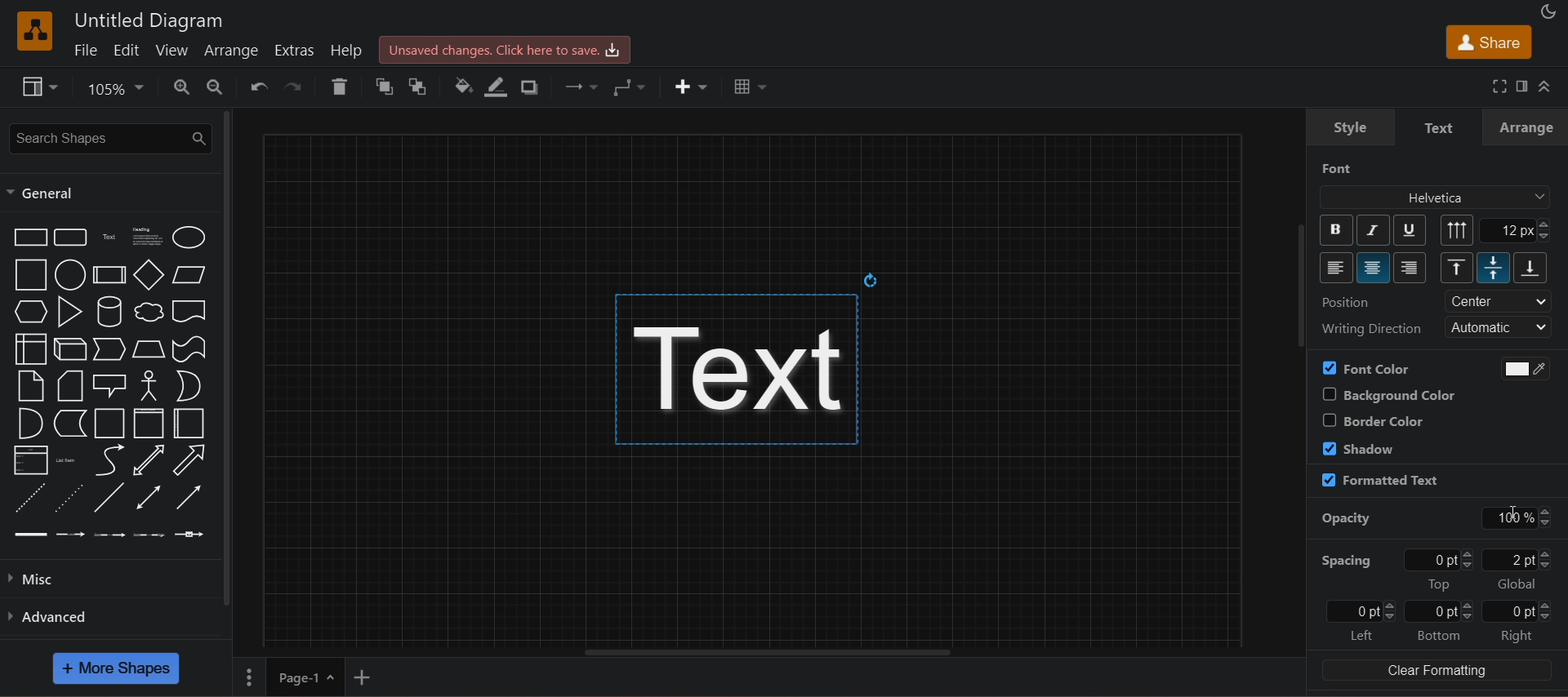  I want to click on logo, so click(36, 31).